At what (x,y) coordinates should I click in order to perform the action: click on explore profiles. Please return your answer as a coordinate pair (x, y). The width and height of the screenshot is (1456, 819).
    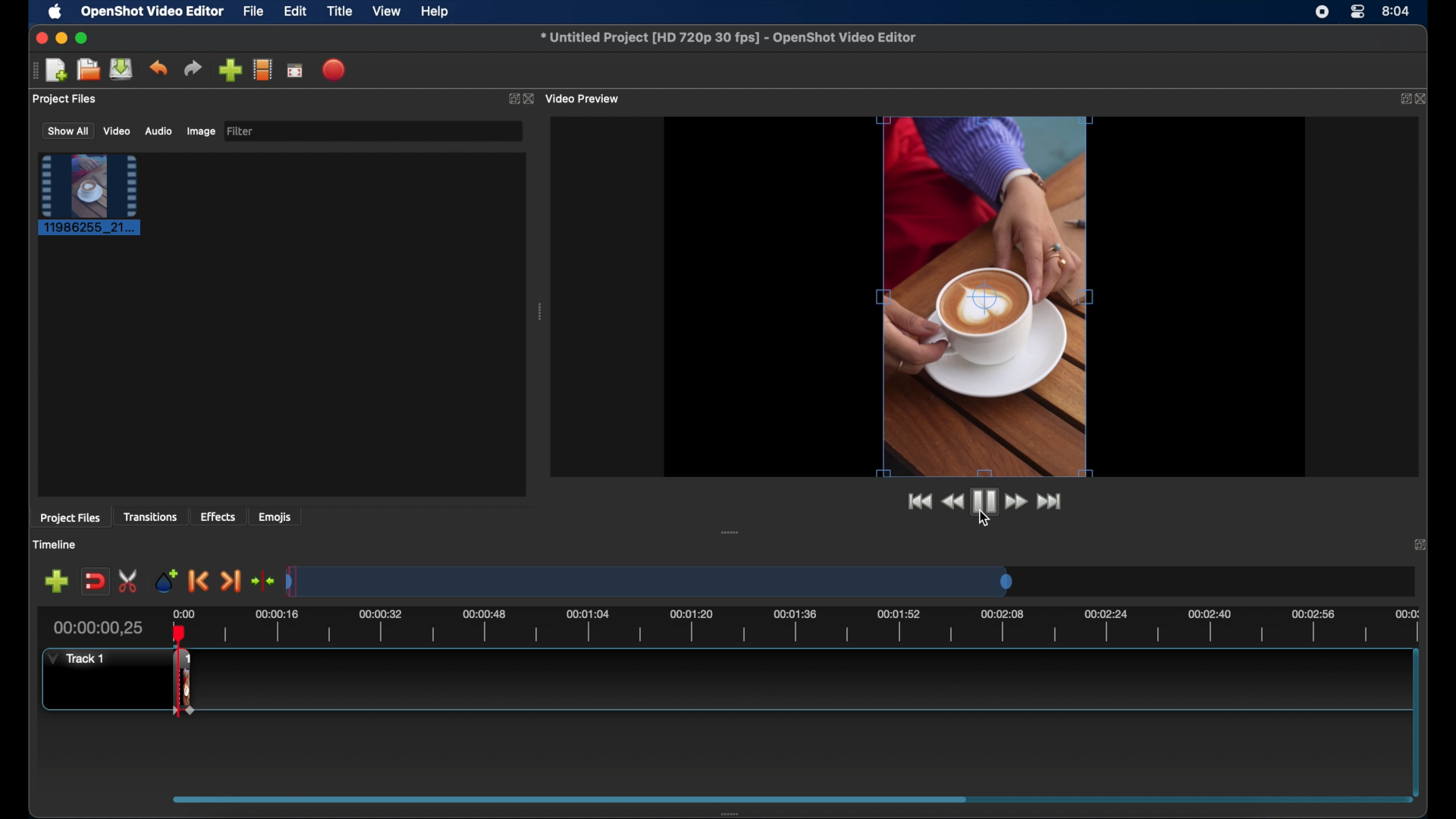
    Looking at the image, I should click on (262, 71).